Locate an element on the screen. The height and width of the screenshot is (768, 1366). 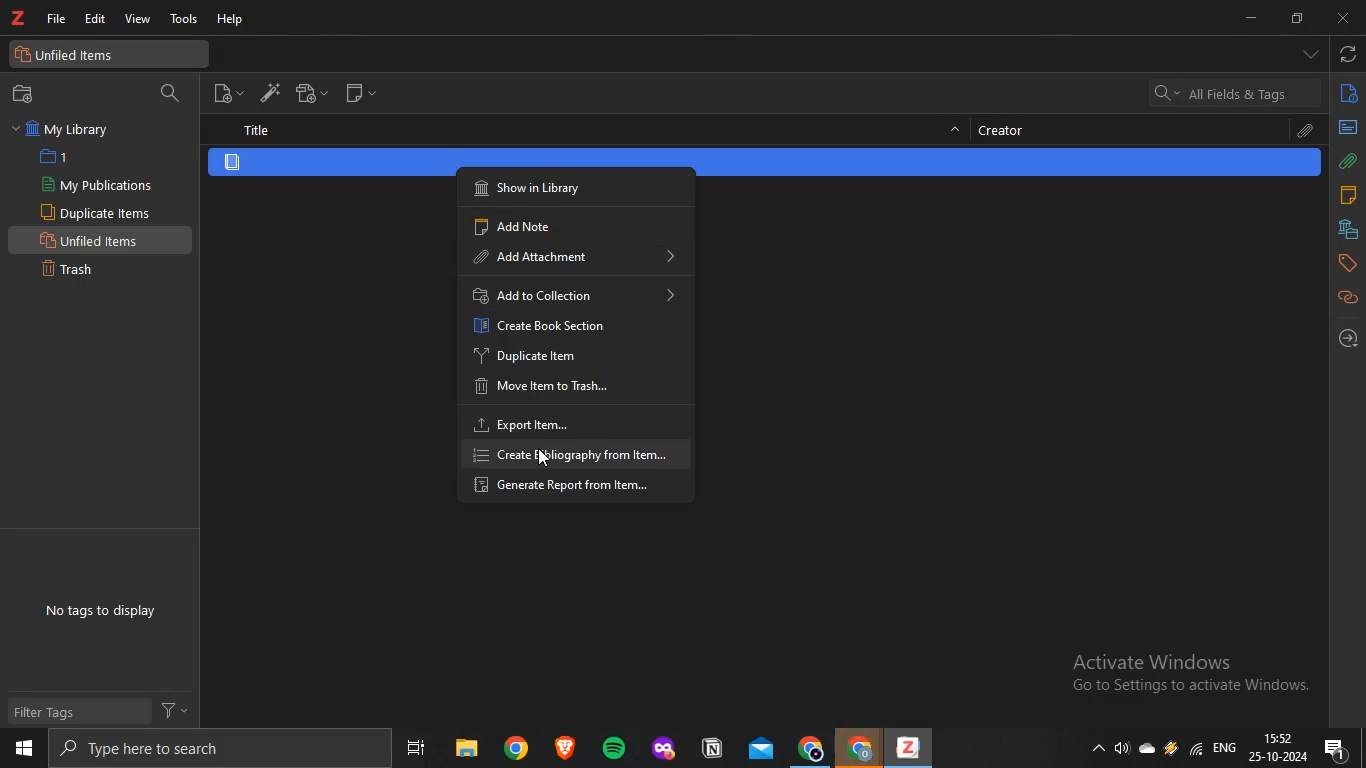
info is located at coordinates (1349, 97).